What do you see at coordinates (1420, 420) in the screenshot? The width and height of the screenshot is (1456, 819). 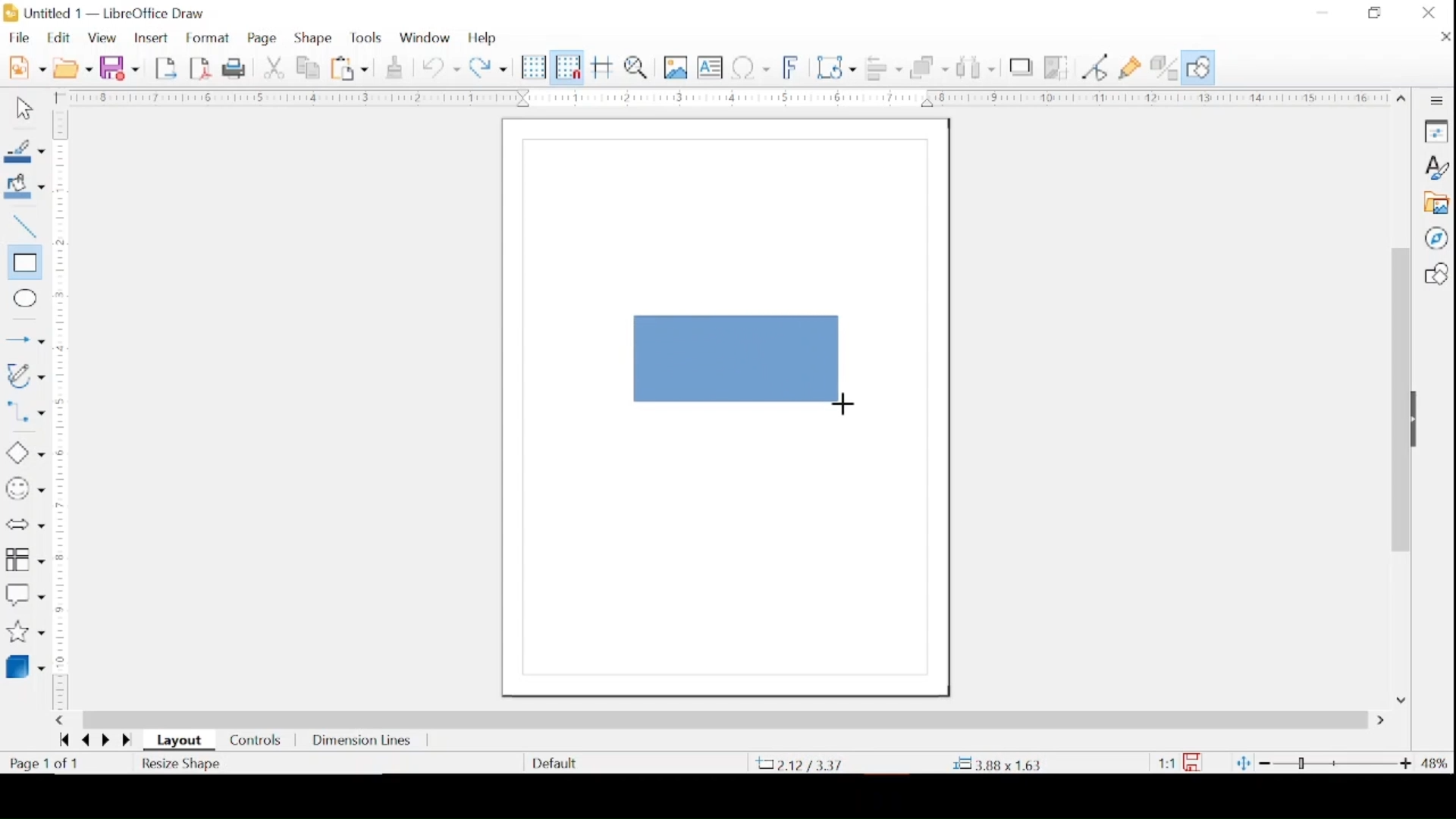 I see `drag handle` at bounding box center [1420, 420].